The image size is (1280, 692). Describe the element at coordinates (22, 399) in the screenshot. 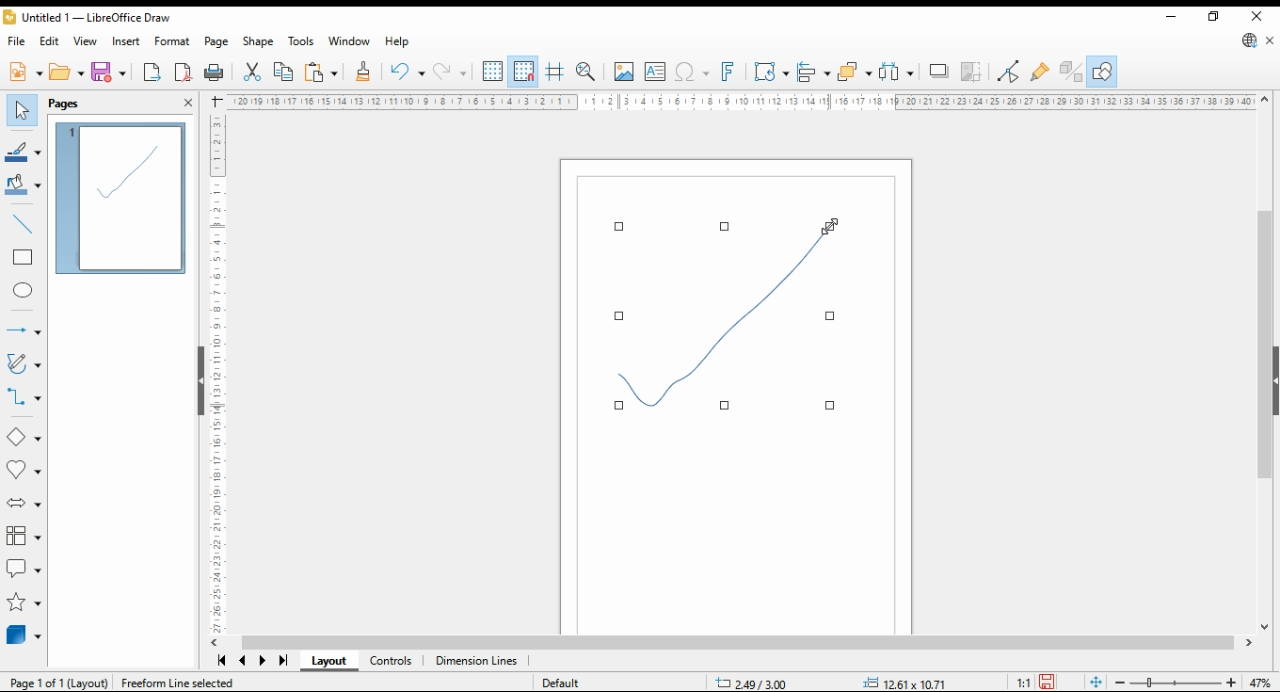

I see `connectors` at that location.